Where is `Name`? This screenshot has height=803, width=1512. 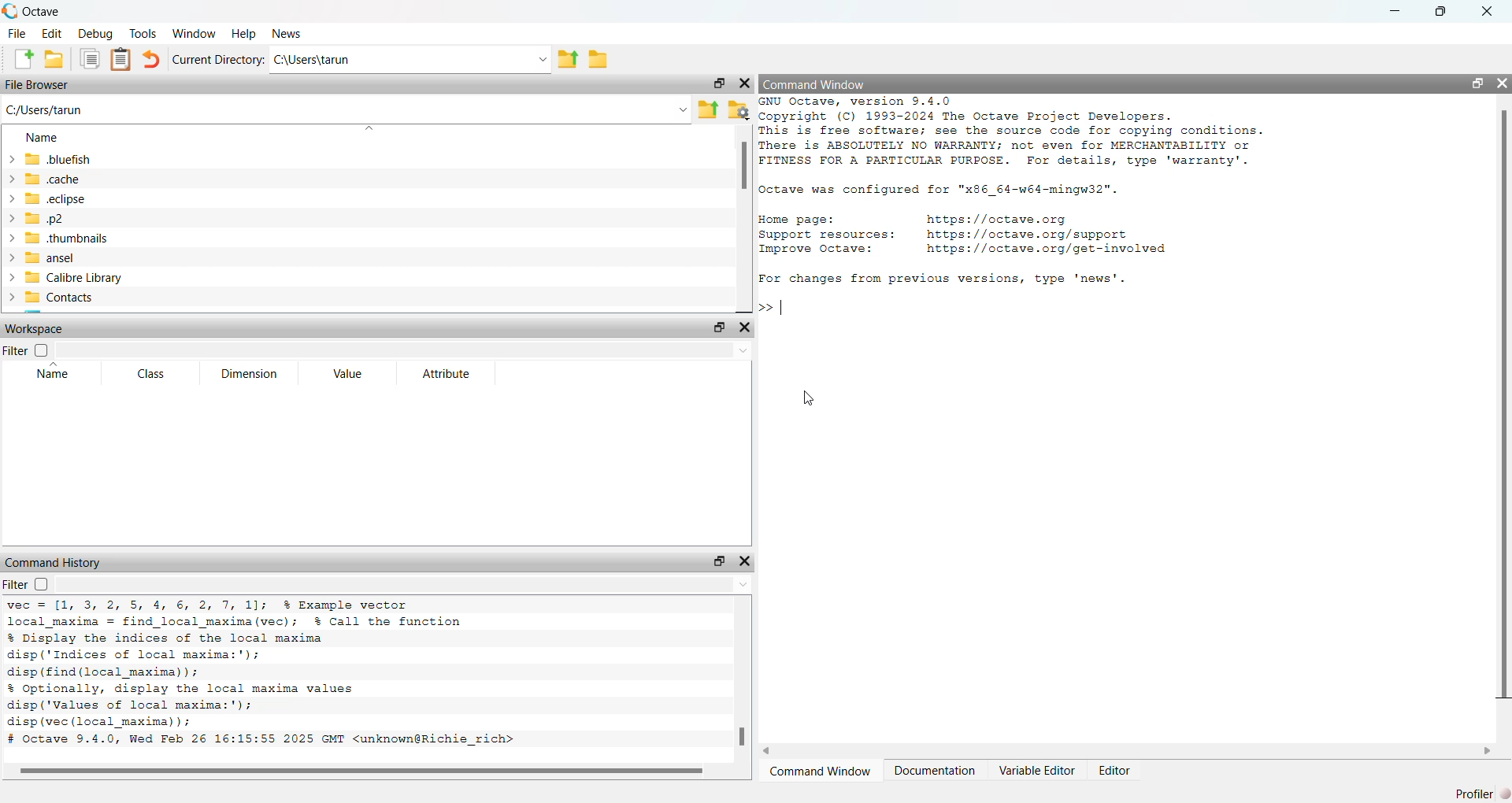 Name is located at coordinates (39, 137).